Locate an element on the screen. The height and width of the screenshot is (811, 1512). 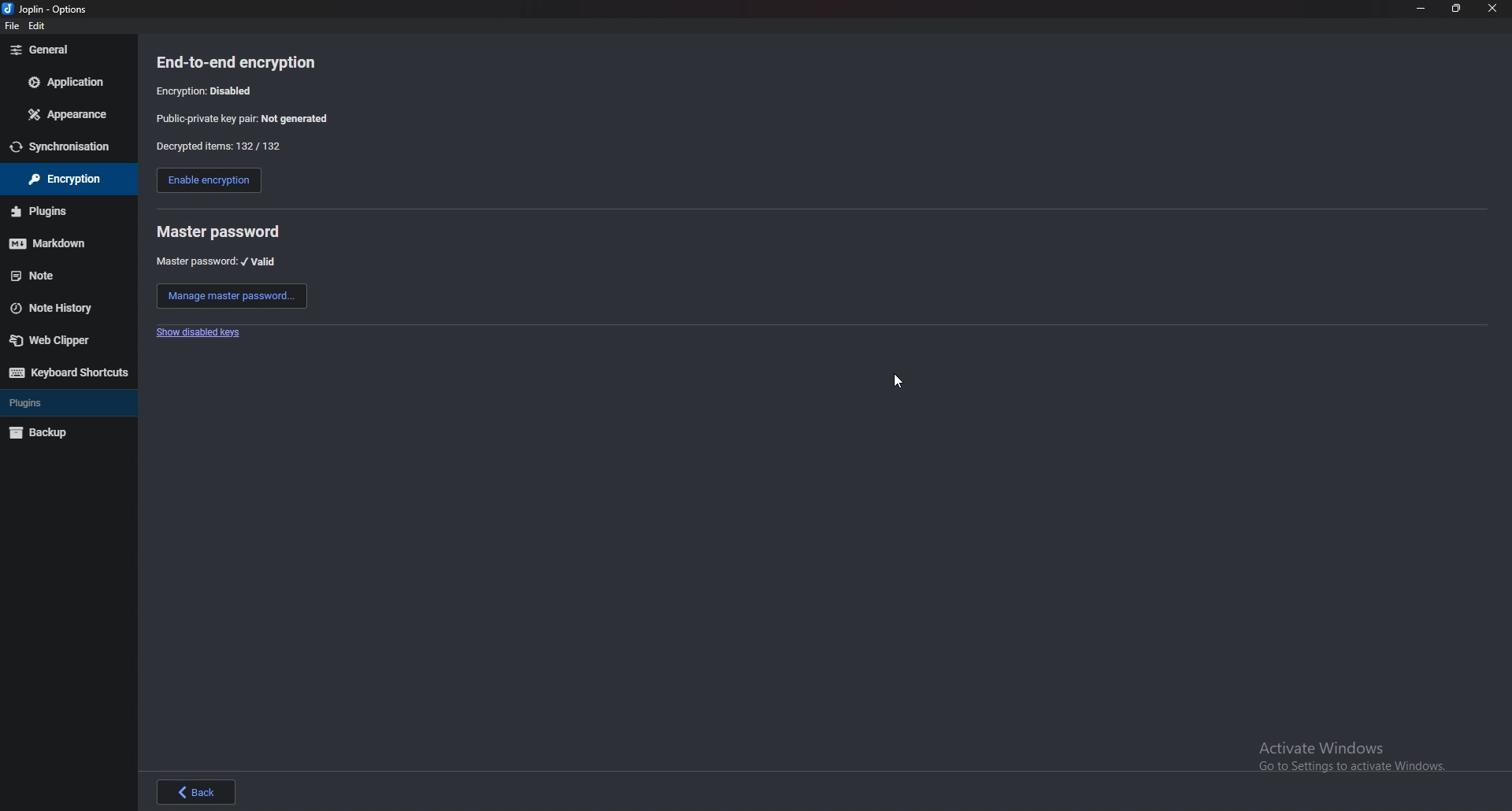
cursor is located at coordinates (901, 383).